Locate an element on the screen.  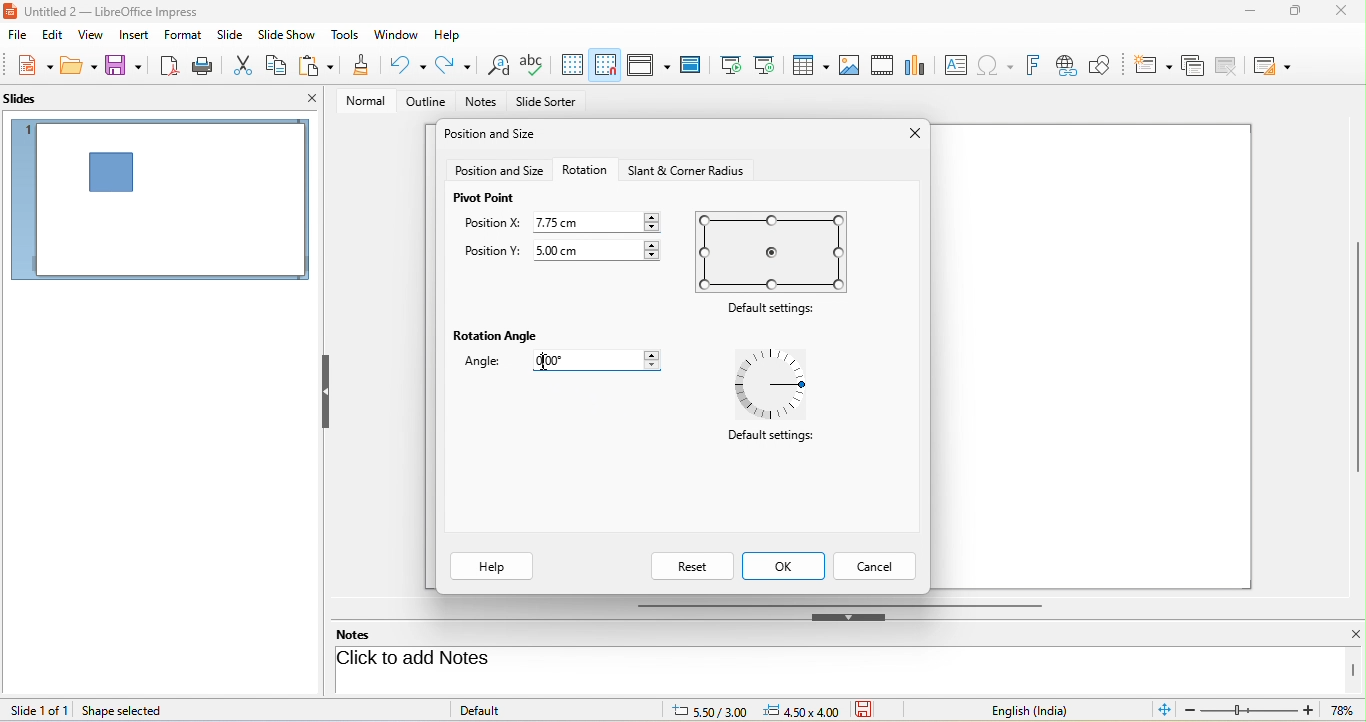
close is located at coordinates (312, 98).